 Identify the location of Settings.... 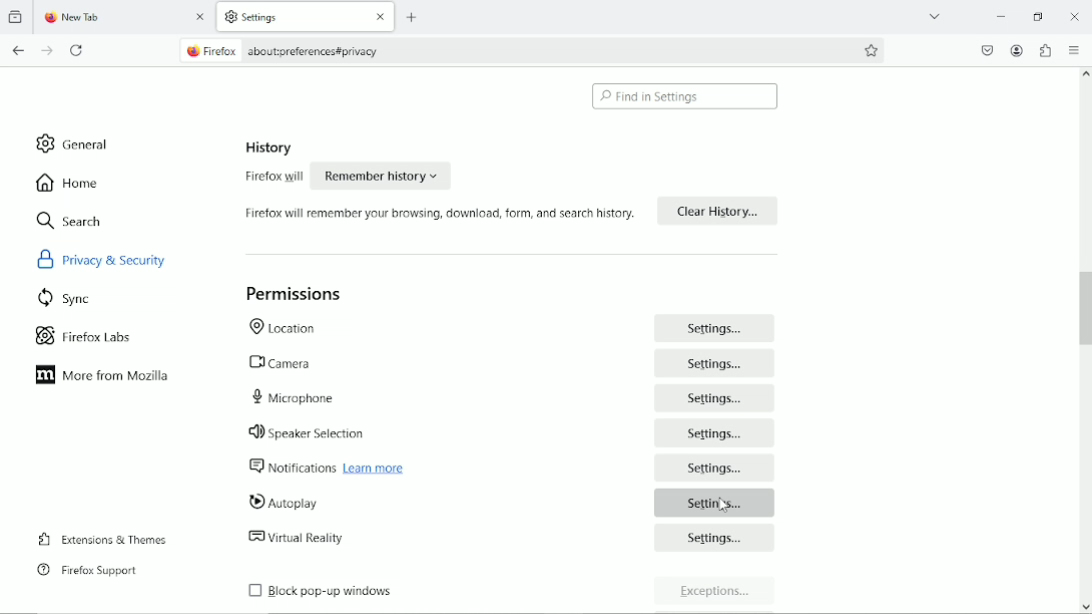
(713, 468).